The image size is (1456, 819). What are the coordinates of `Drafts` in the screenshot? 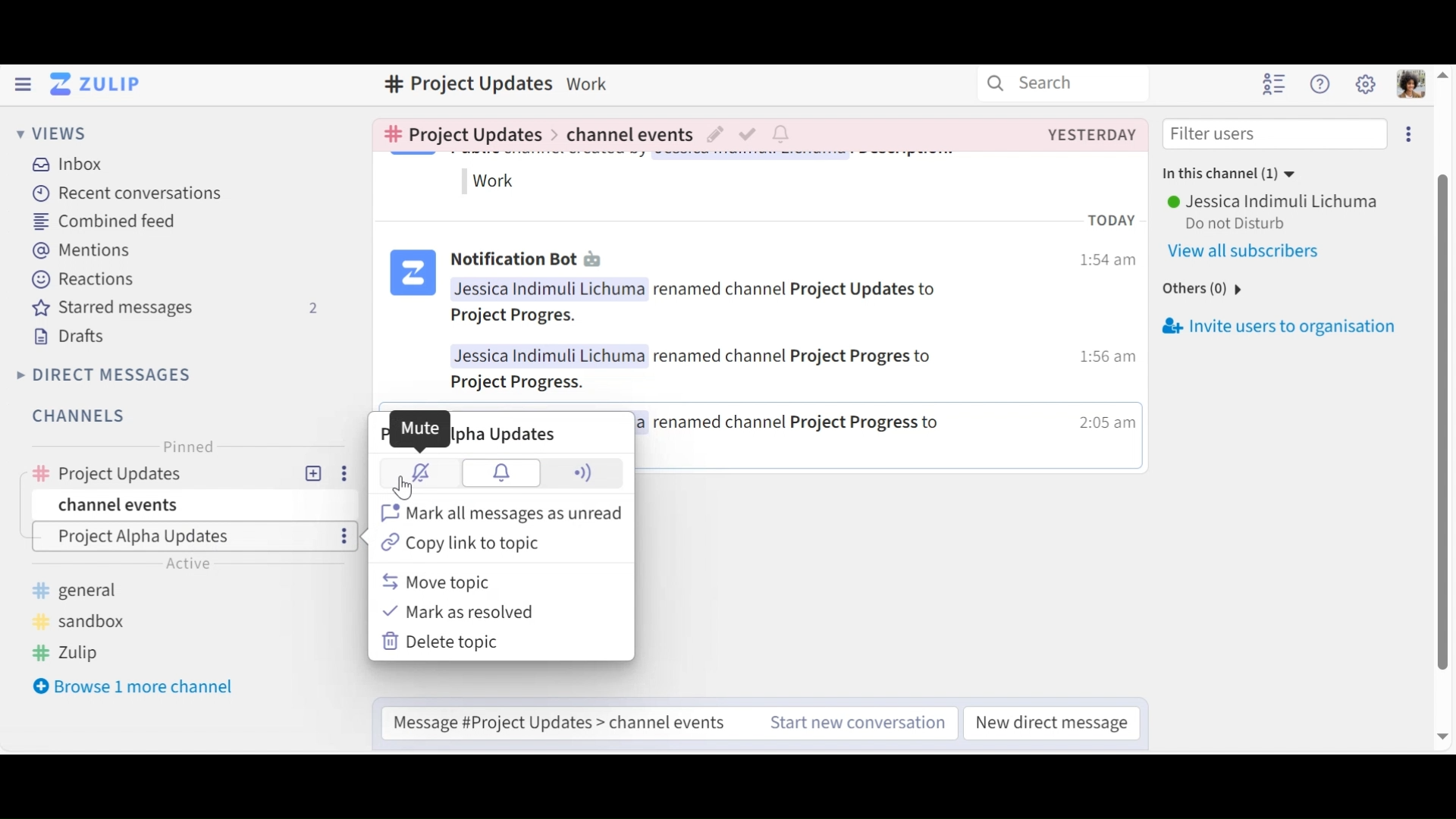 It's located at (69, 337).